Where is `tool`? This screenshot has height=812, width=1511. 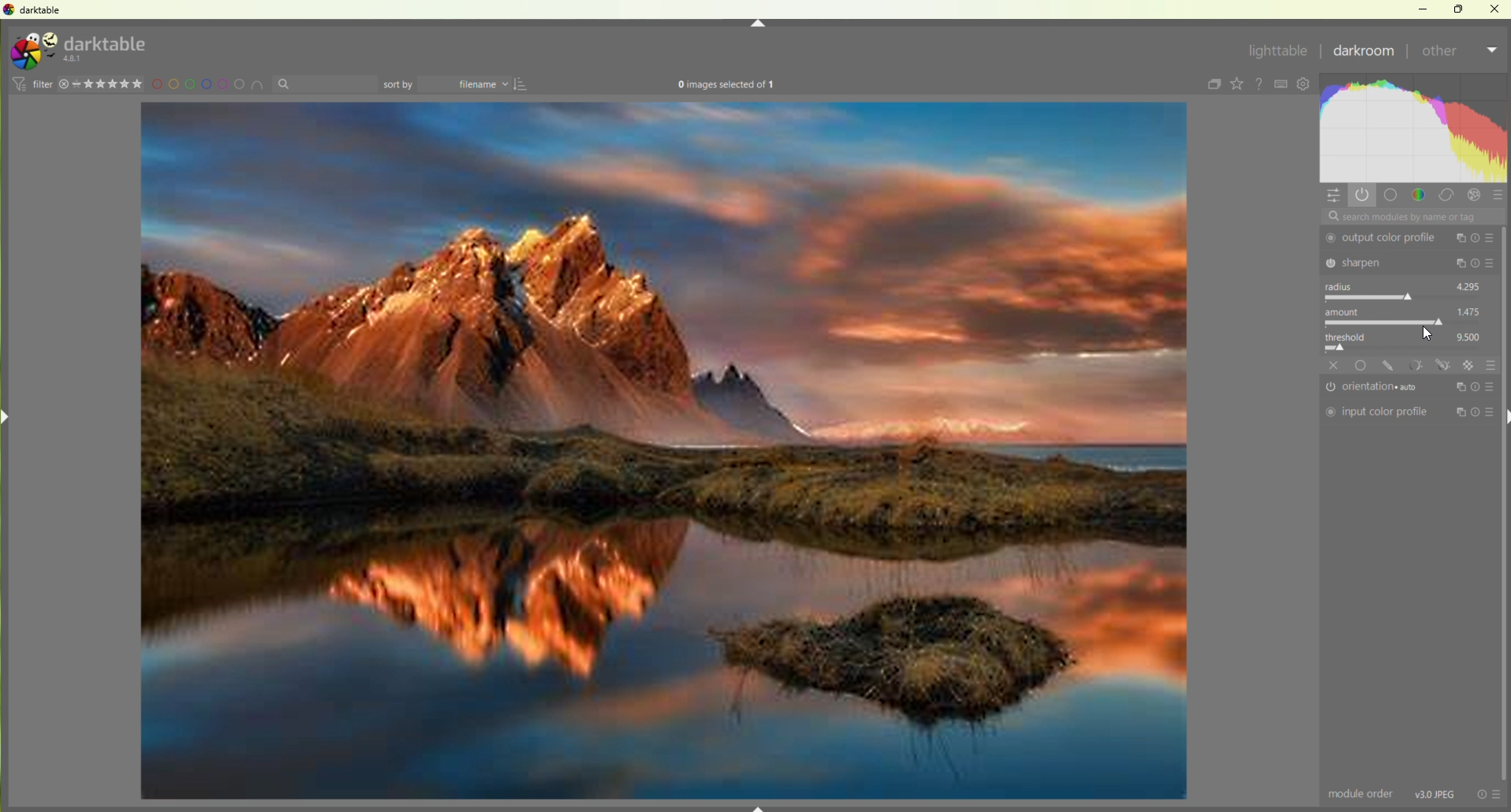
tool is located at coordinates (1444, 365).